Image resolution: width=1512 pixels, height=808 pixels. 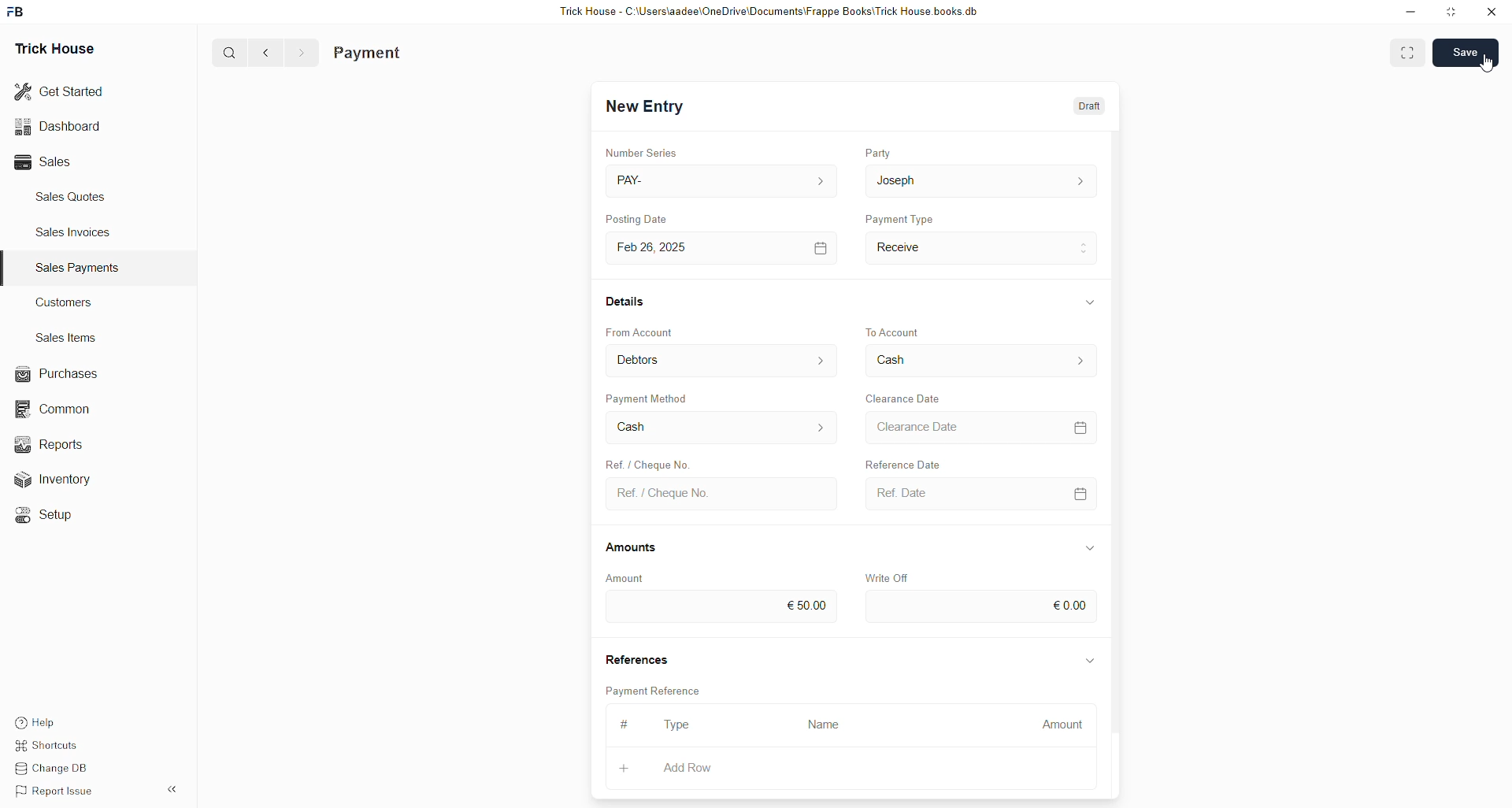 I want to click on Save, so click(x=1465, y=52).